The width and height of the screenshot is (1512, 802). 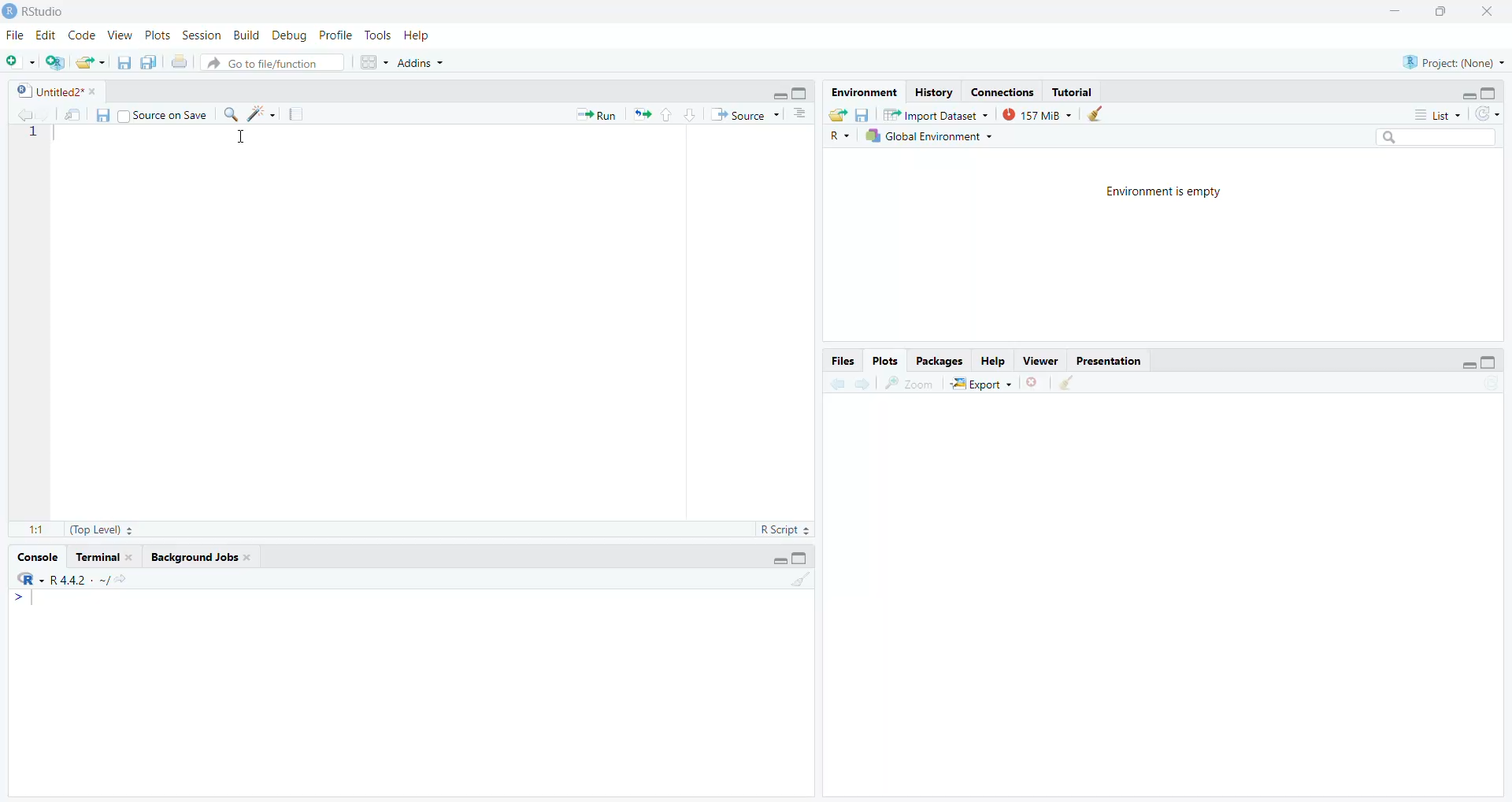 I want to click on maximize, so click(x=799, y=94).